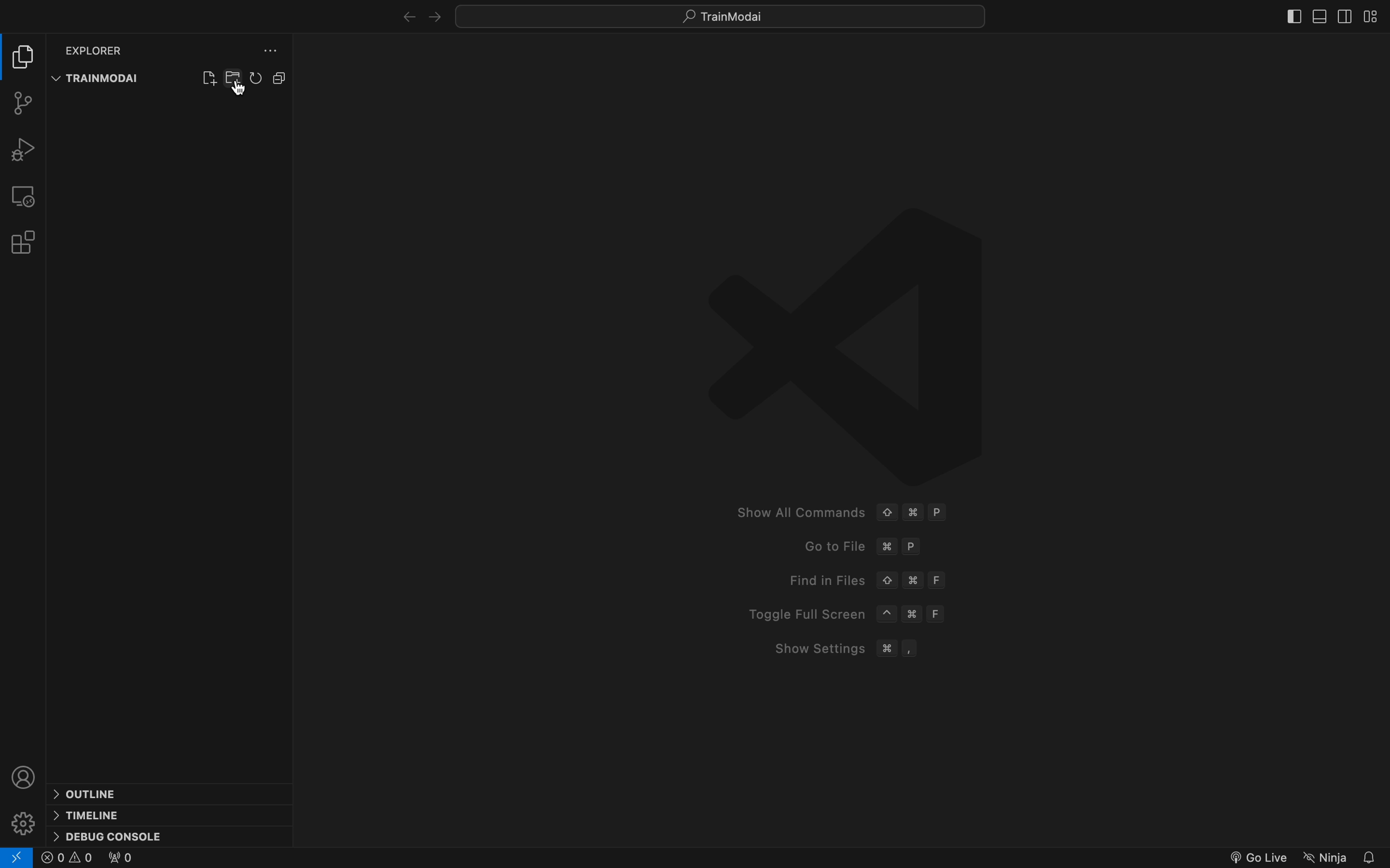  Describe the element at coordinates (17, 857) in the screenshot. I see `error logs` at that location.